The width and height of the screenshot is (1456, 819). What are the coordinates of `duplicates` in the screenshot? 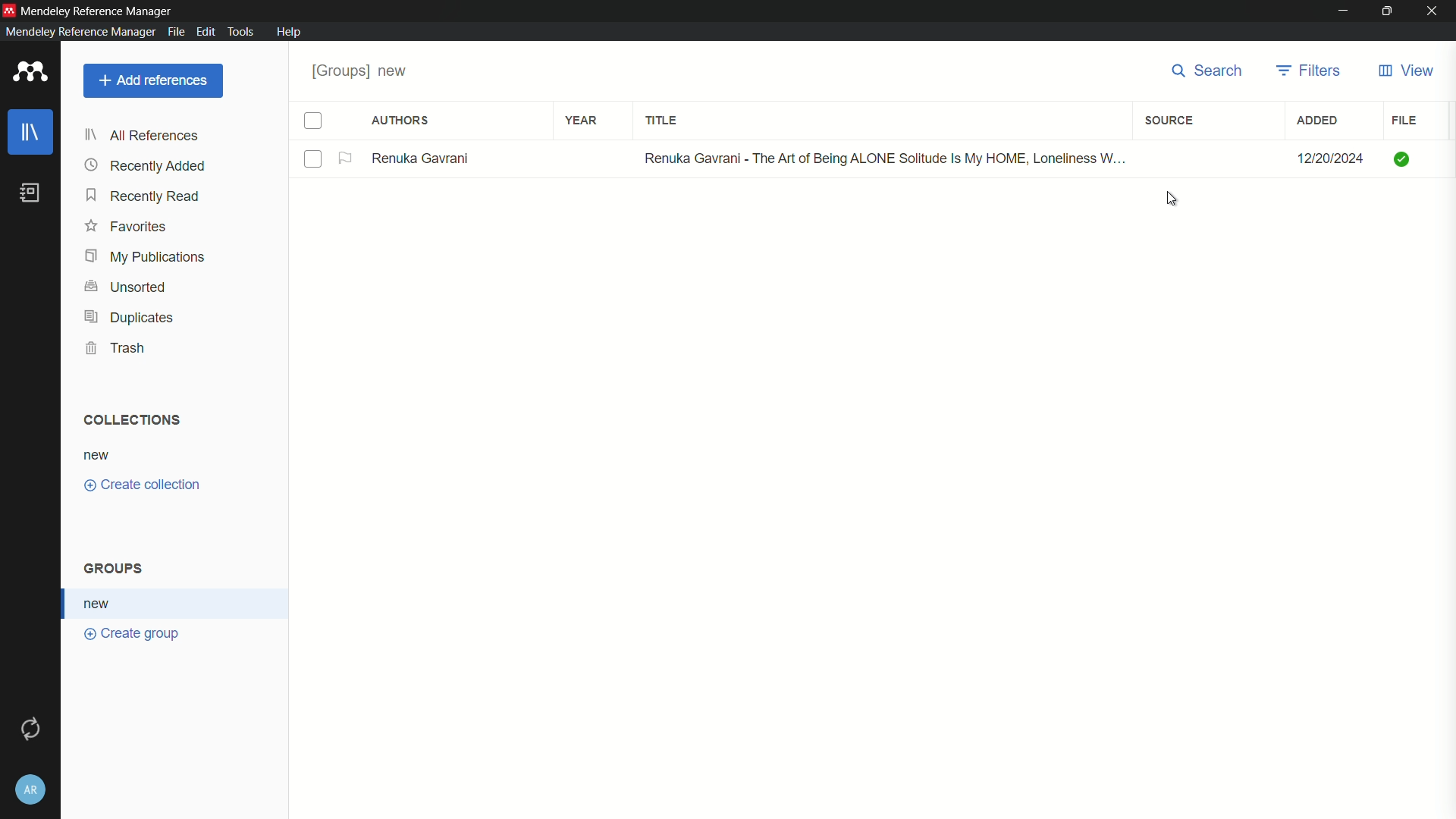 It's located at (128, 318).